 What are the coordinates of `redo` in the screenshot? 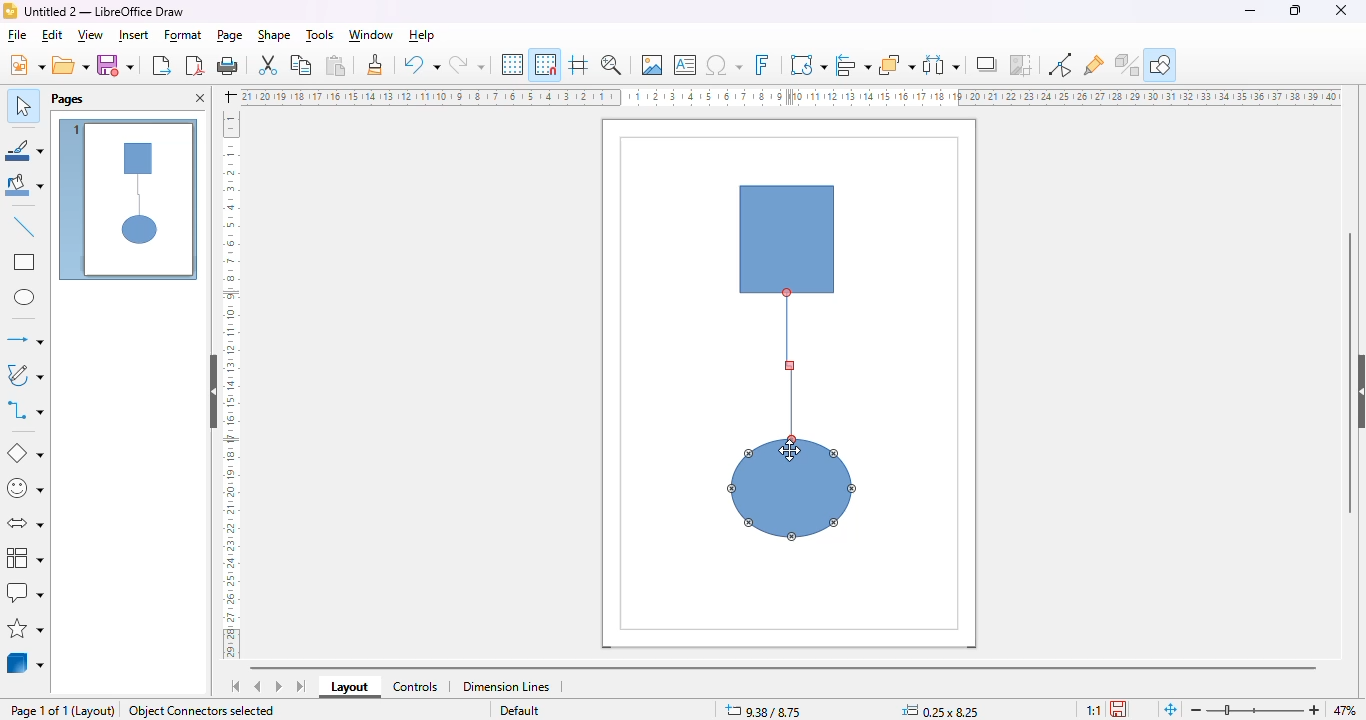 It's located at (466, 66).